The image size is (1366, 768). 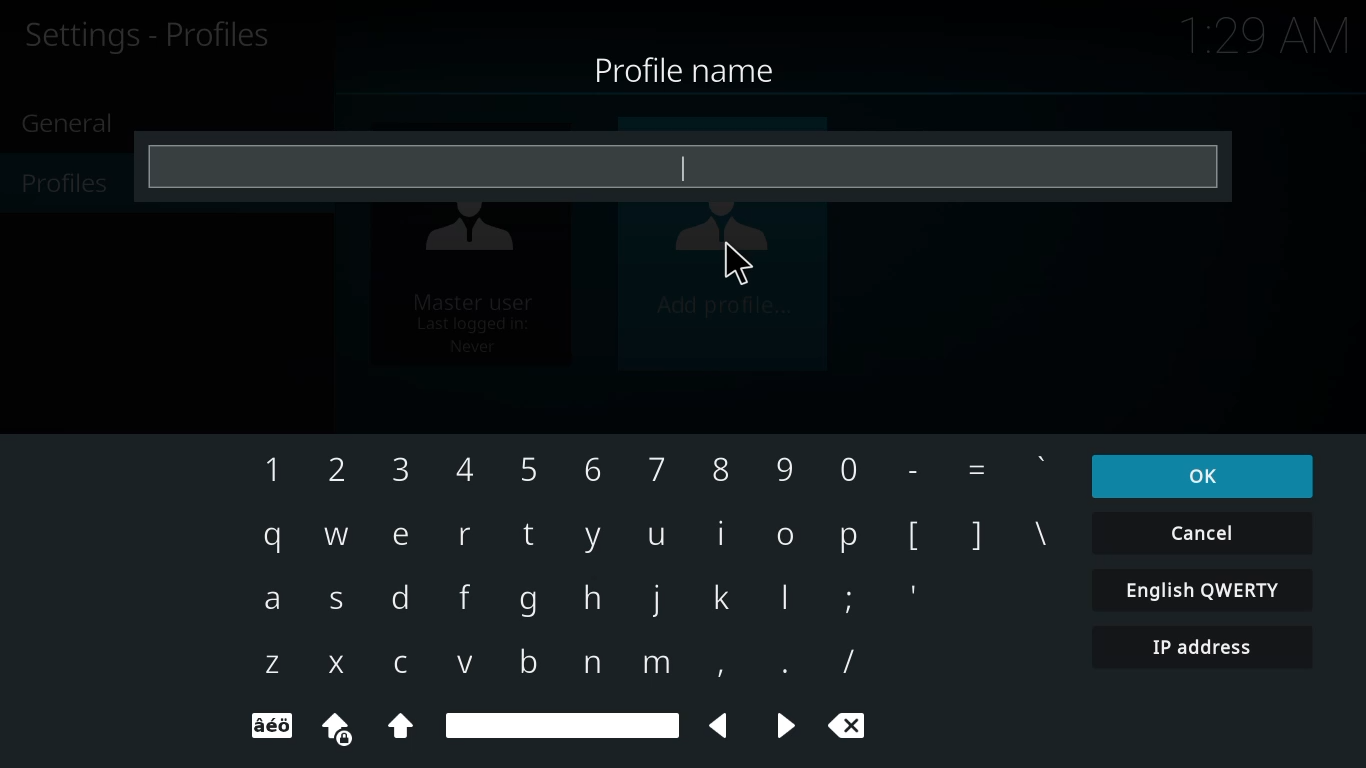 What do you see at coordinates (556, 729) in the screenshot?
I see `spacebar` at bounding box center [556, 729].